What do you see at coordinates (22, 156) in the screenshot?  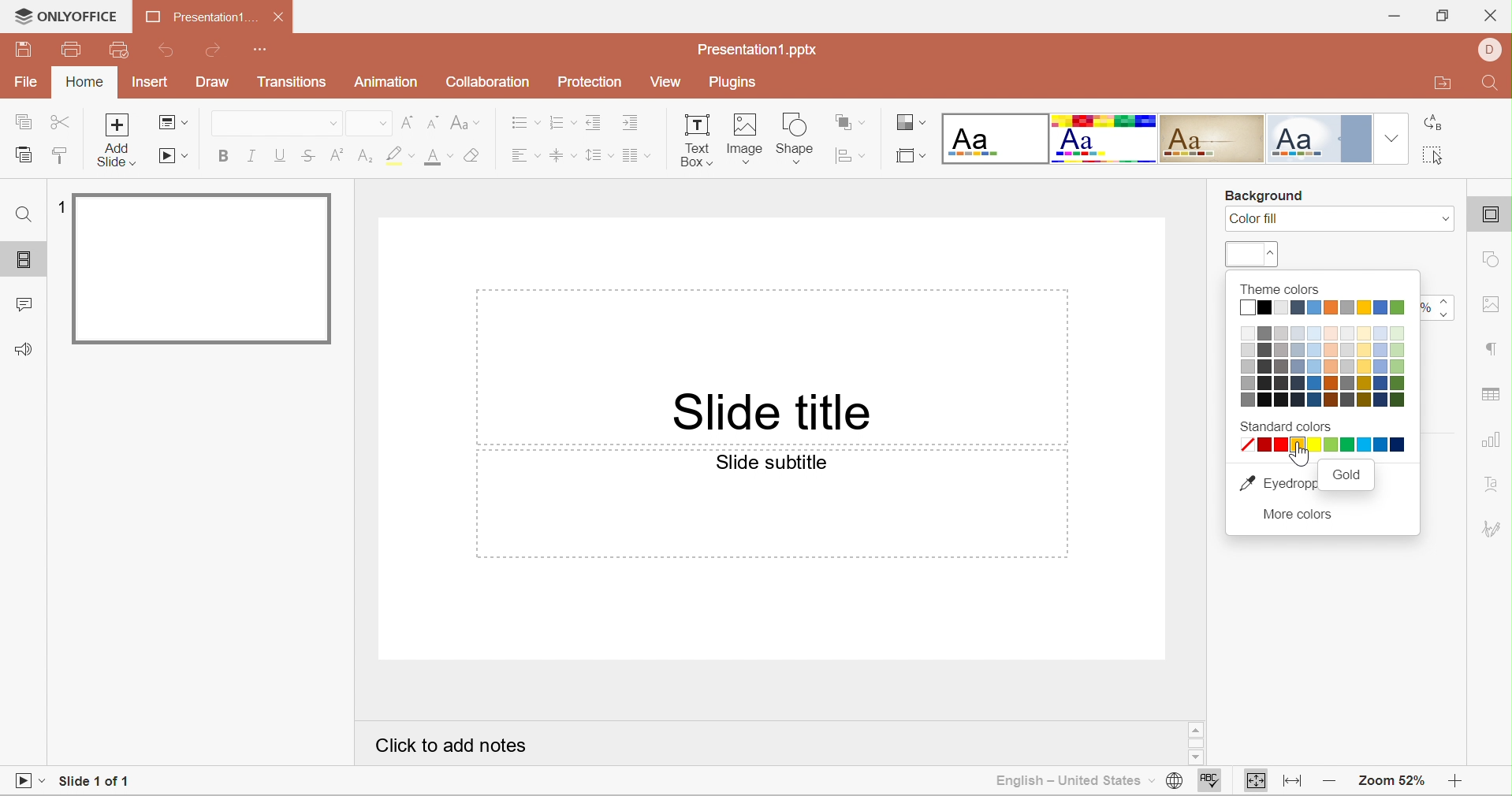 I see `Paste` at bounding box center [22, 156].